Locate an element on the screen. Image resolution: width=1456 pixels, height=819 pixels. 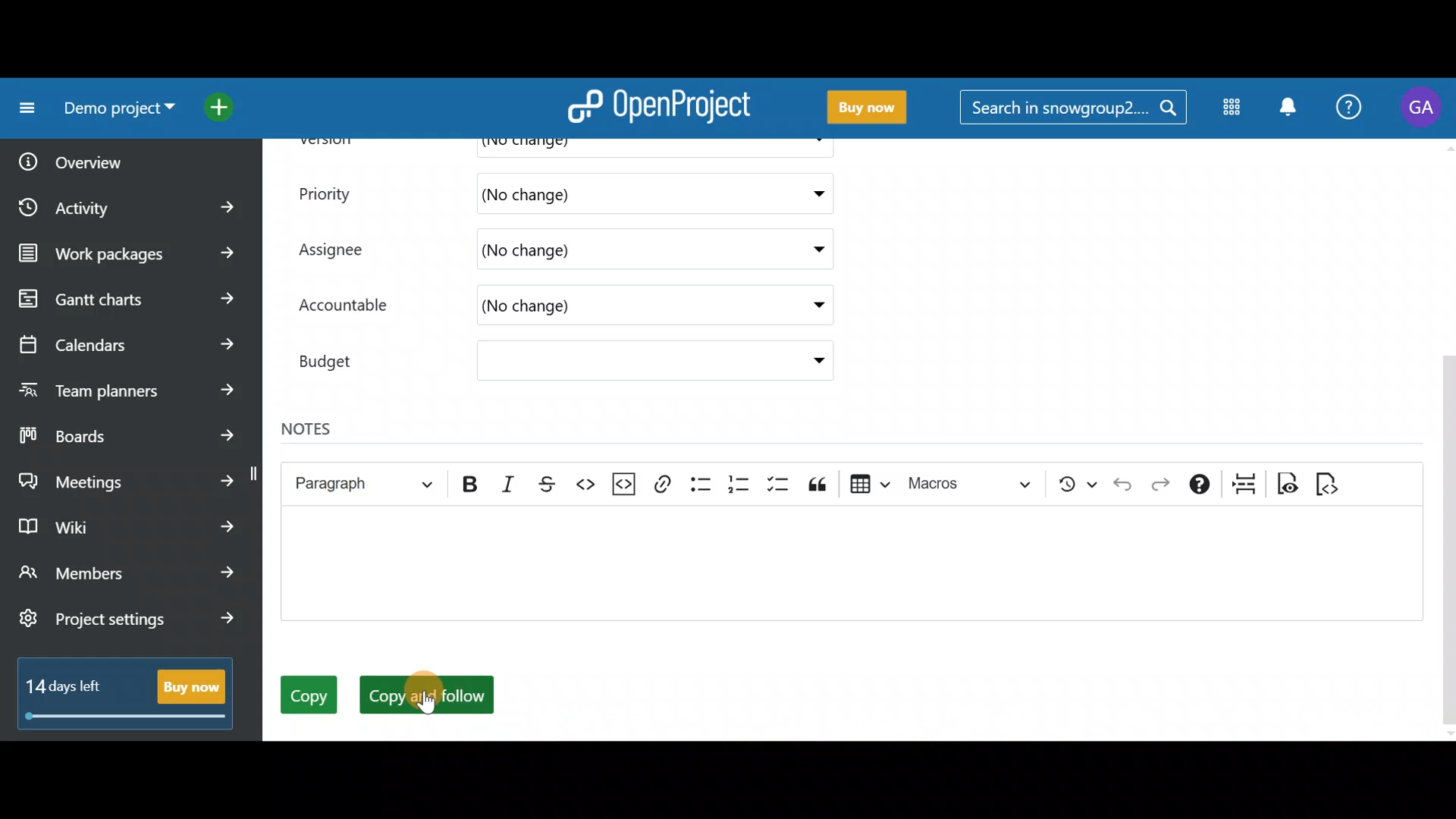
(No change) is located at coordinates (620, 252).